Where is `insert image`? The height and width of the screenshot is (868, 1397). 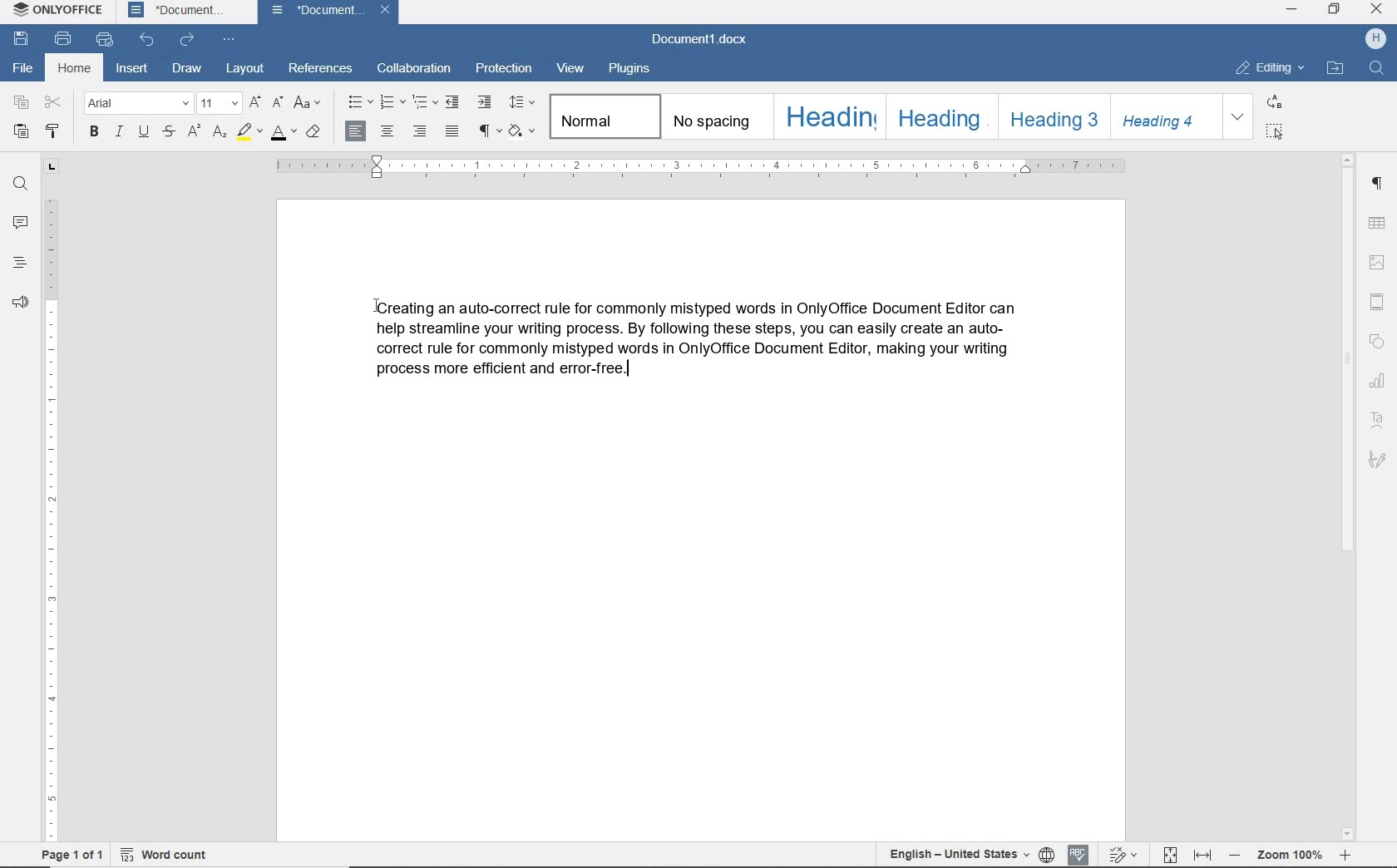
insert image is located at coordinates (1380, 261).